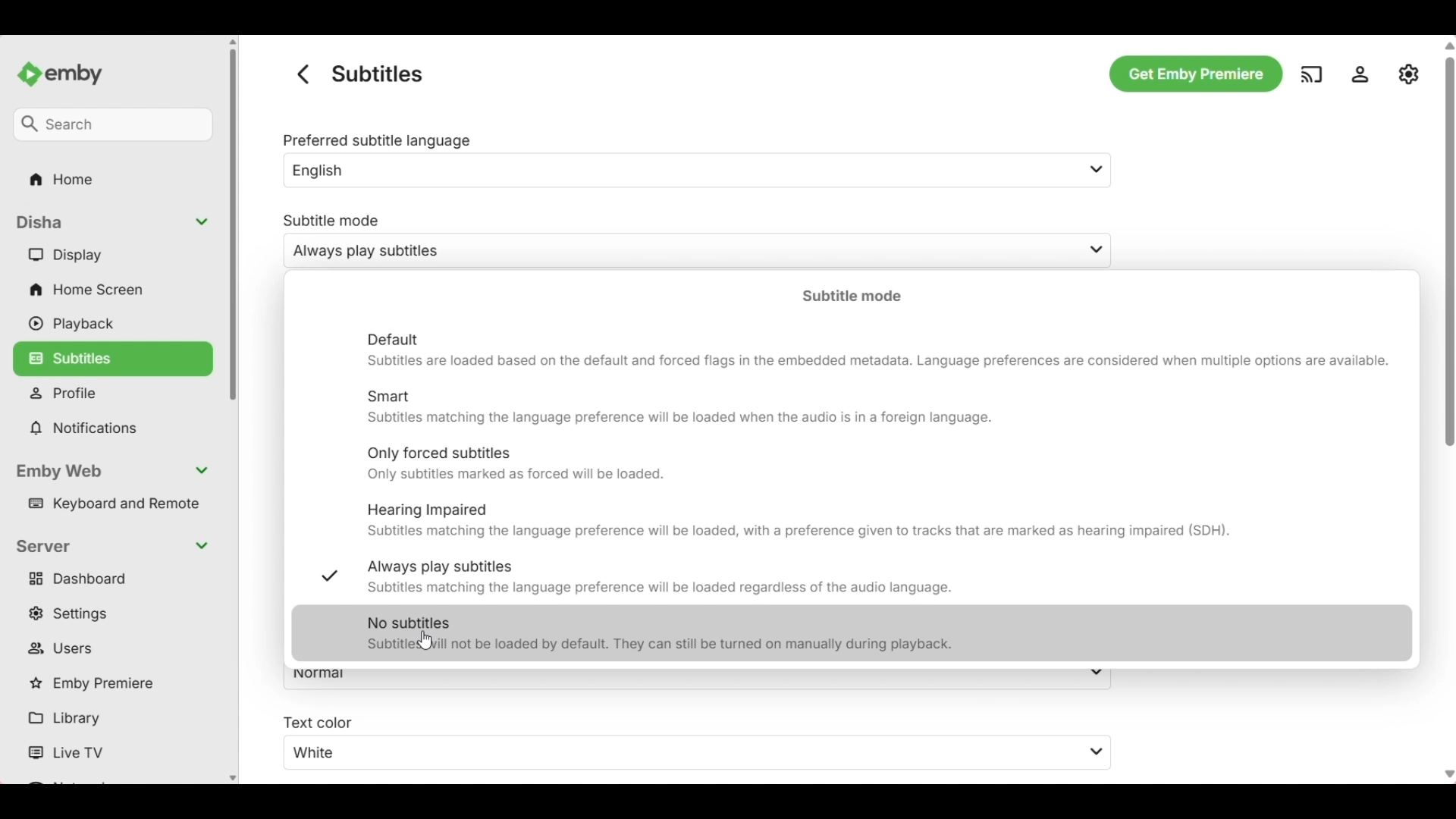 Image resolution: width=1456 pixels, height=819 pixels. What do you see at coordinates (1312, 73) in the screenshot?
I see `` at bounding box center [1312, 73].